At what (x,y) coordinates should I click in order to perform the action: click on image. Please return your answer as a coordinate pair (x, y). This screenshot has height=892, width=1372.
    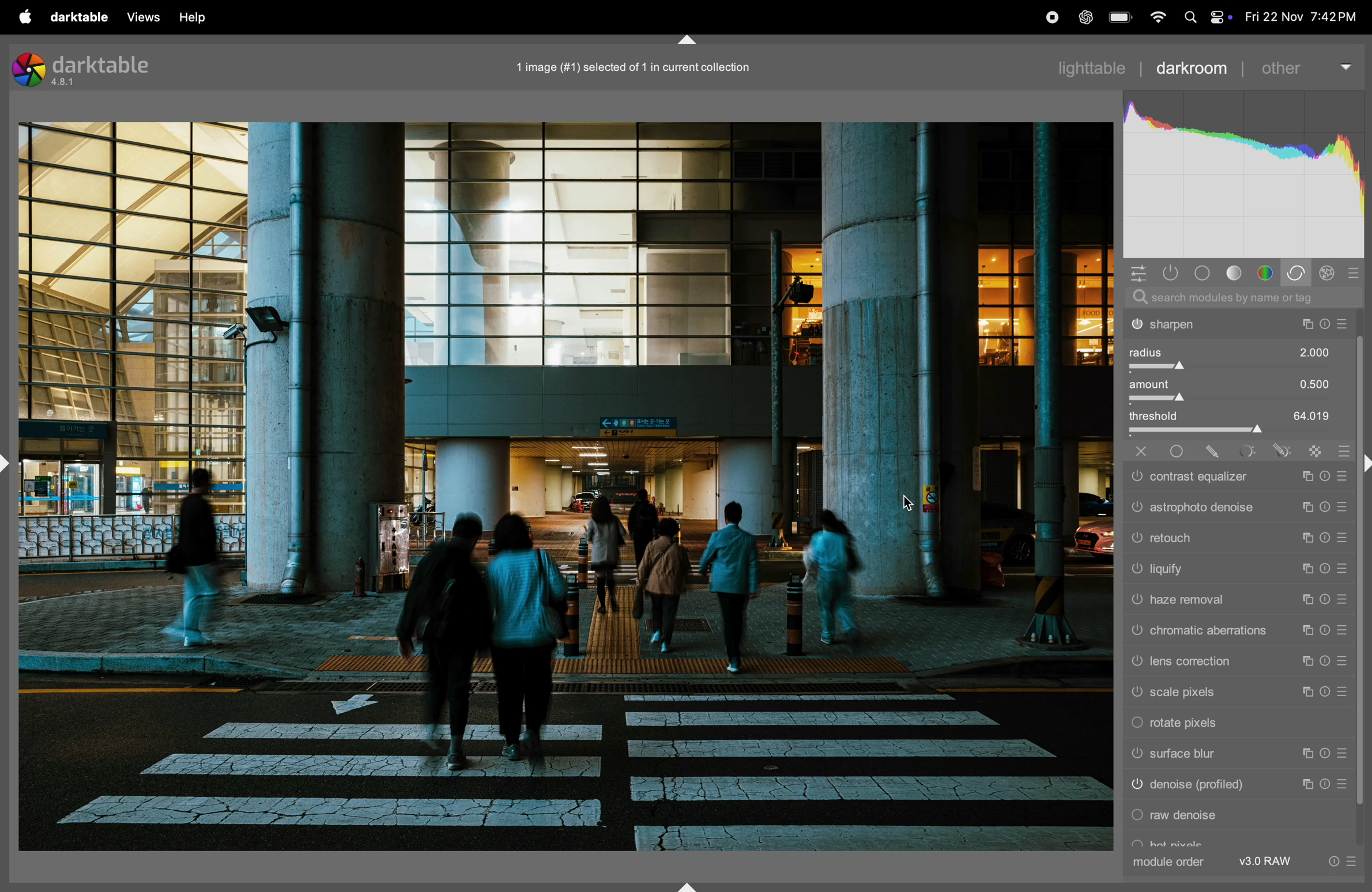
    Looking at the image, I should click on (564, 487).